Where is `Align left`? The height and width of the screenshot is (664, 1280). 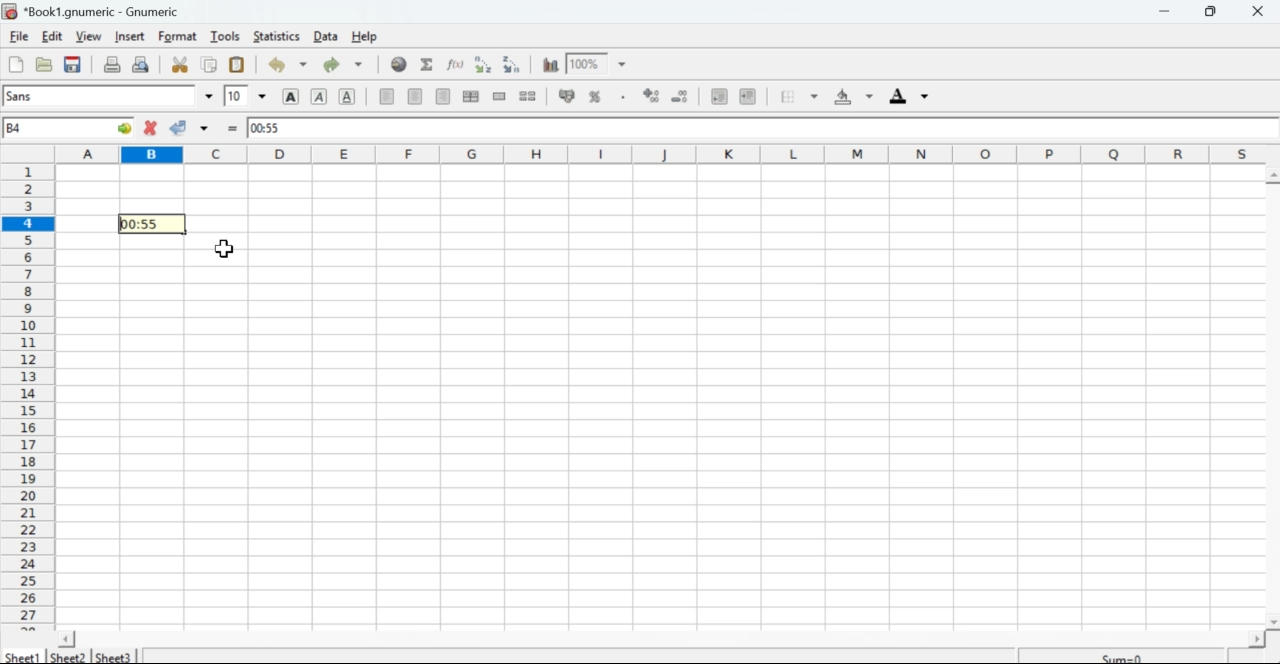
Align left is located at coordinates (387, 97).